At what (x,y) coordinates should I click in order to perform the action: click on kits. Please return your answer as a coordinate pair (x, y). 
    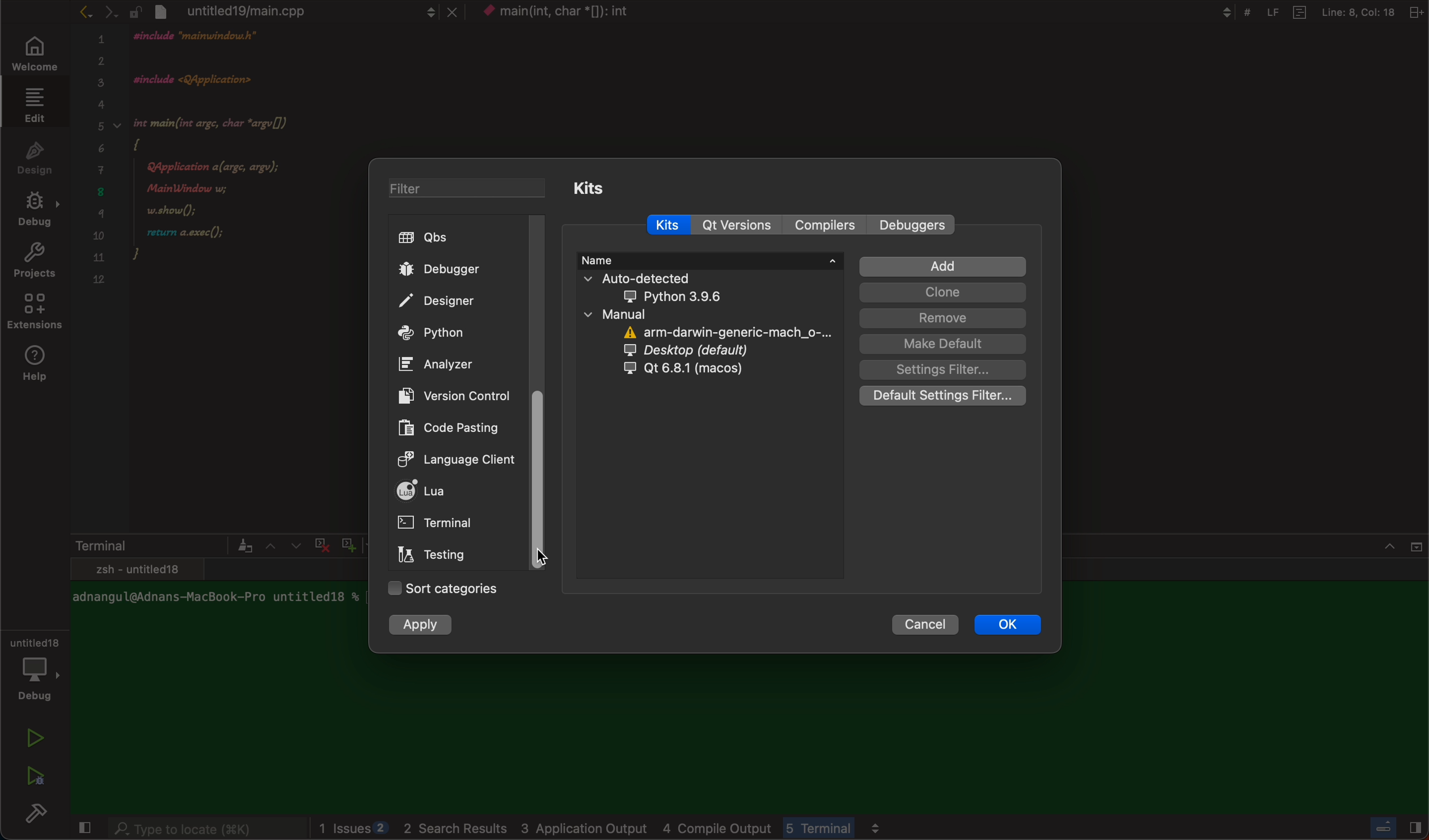
    Looking at the image, I should click on (675, 225).